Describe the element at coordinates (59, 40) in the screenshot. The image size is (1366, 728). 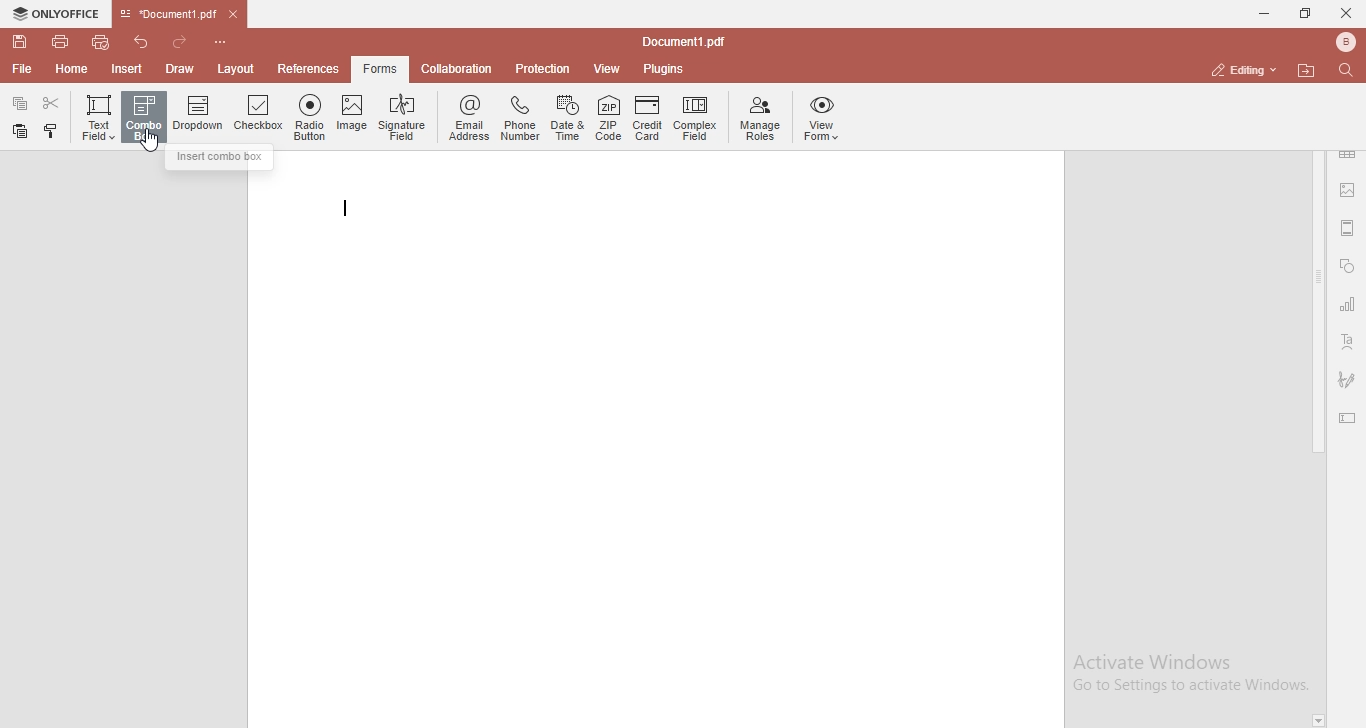
I see `print` at that location.